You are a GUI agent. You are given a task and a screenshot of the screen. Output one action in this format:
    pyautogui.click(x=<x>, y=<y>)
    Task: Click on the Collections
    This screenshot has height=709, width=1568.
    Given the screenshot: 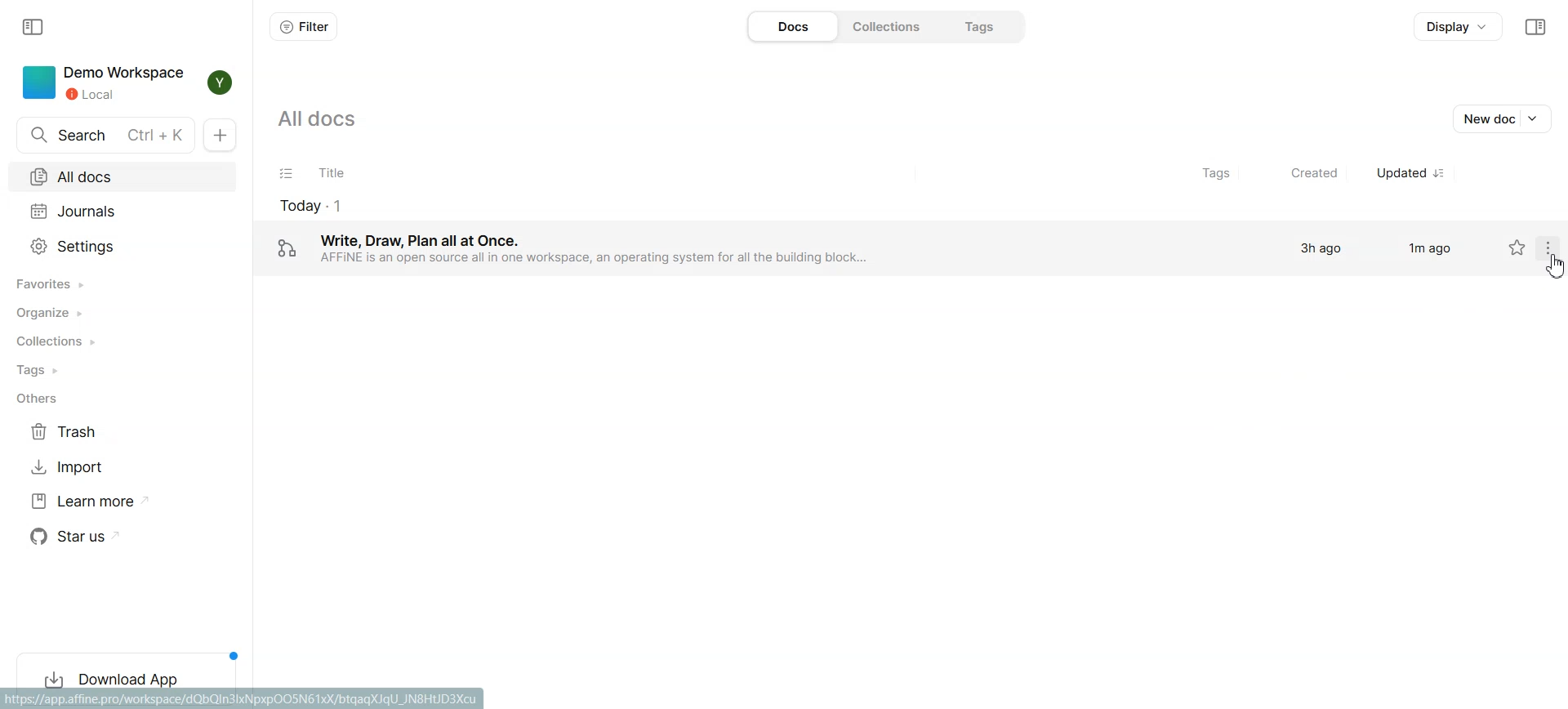 What is the action you would take?
    pyautogui.click(x=122, y=342)
    